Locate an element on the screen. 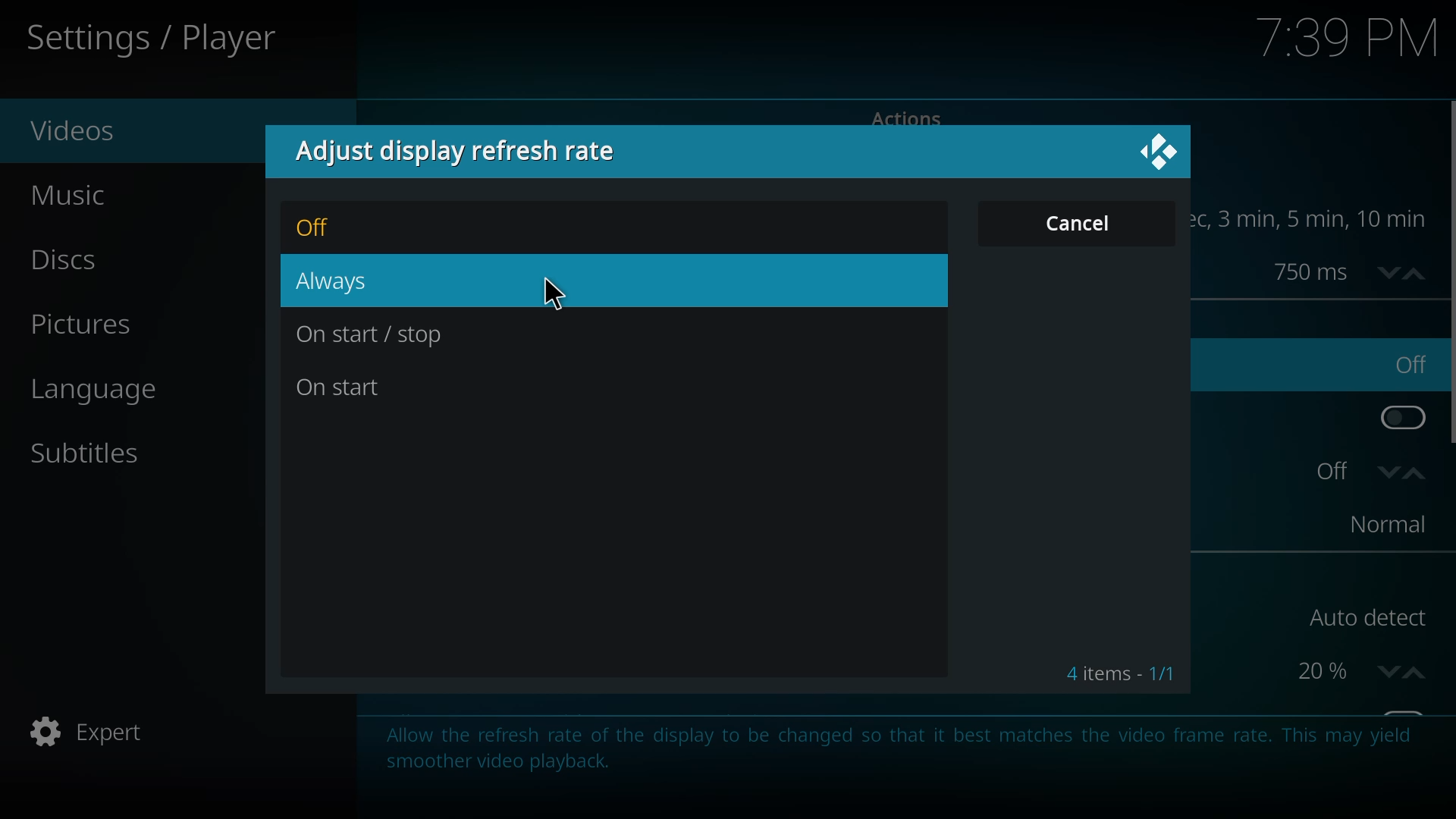 The width and height of the screenshot is (1456, 819). auto detect is located at coordinates (1363, 618).